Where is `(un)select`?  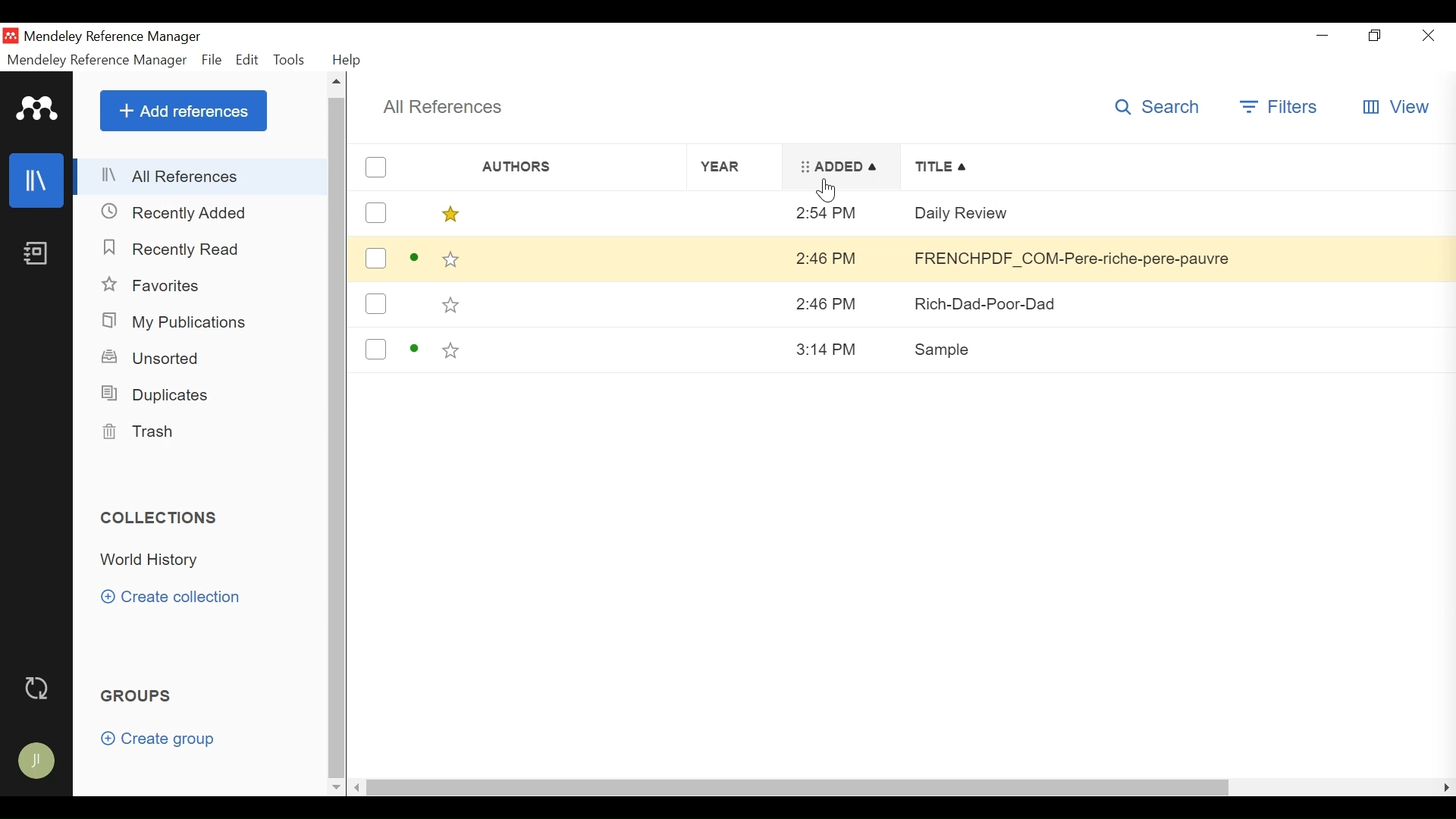
(un)select is located at coordinates (374, 212).